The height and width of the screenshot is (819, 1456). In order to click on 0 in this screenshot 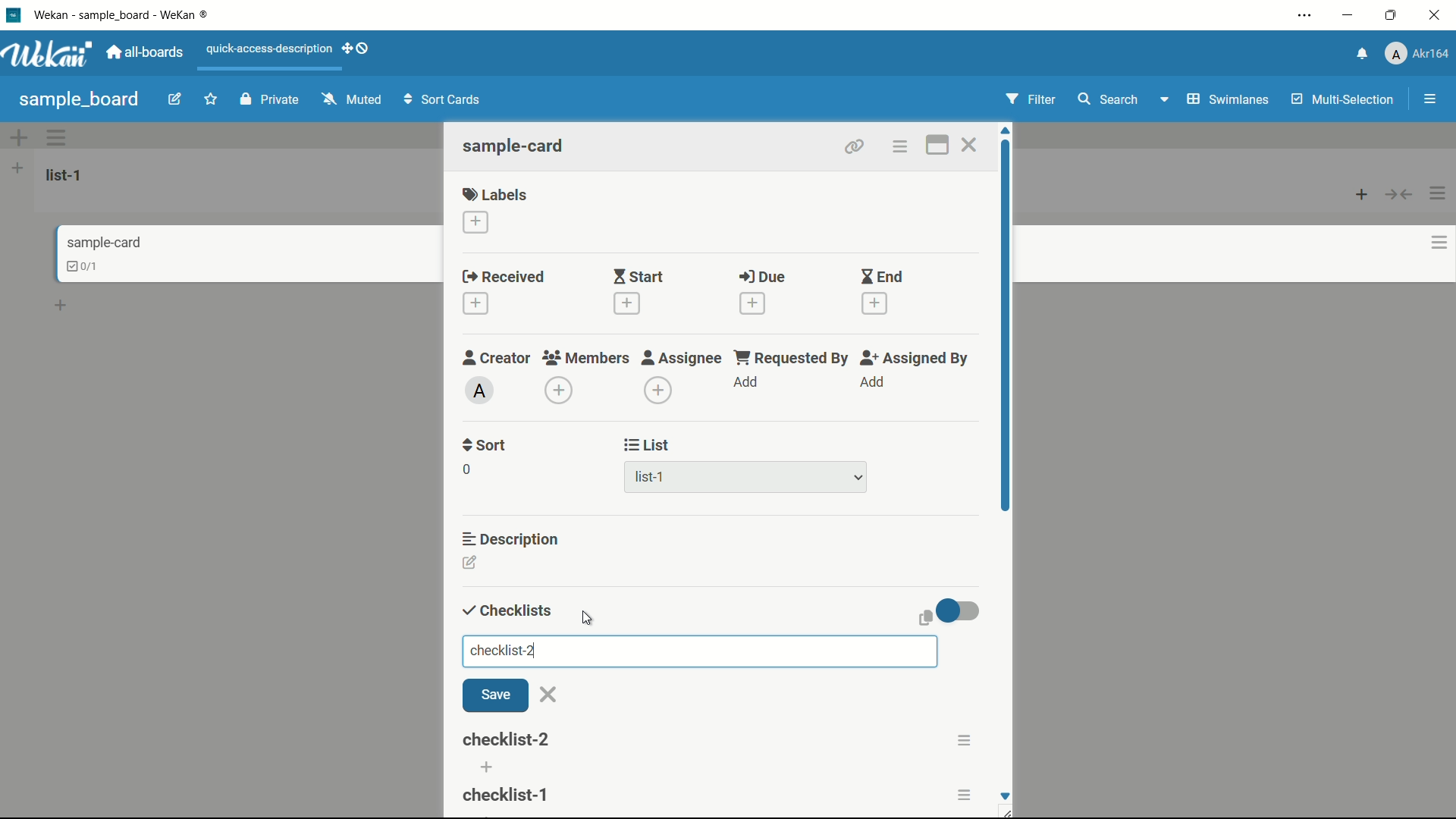, I will do `click(466, 469)`.